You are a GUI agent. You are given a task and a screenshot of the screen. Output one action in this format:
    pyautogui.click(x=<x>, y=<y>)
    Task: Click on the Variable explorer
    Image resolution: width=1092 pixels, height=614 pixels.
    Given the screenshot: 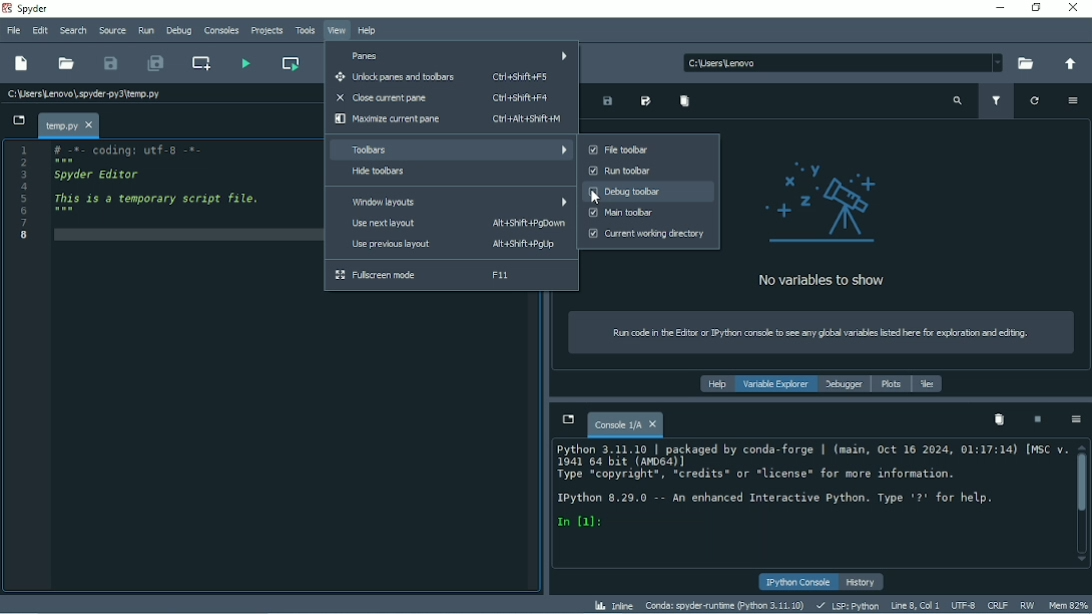 What is the action you would take?
    pyautogui.click(x=777, y=385)
    